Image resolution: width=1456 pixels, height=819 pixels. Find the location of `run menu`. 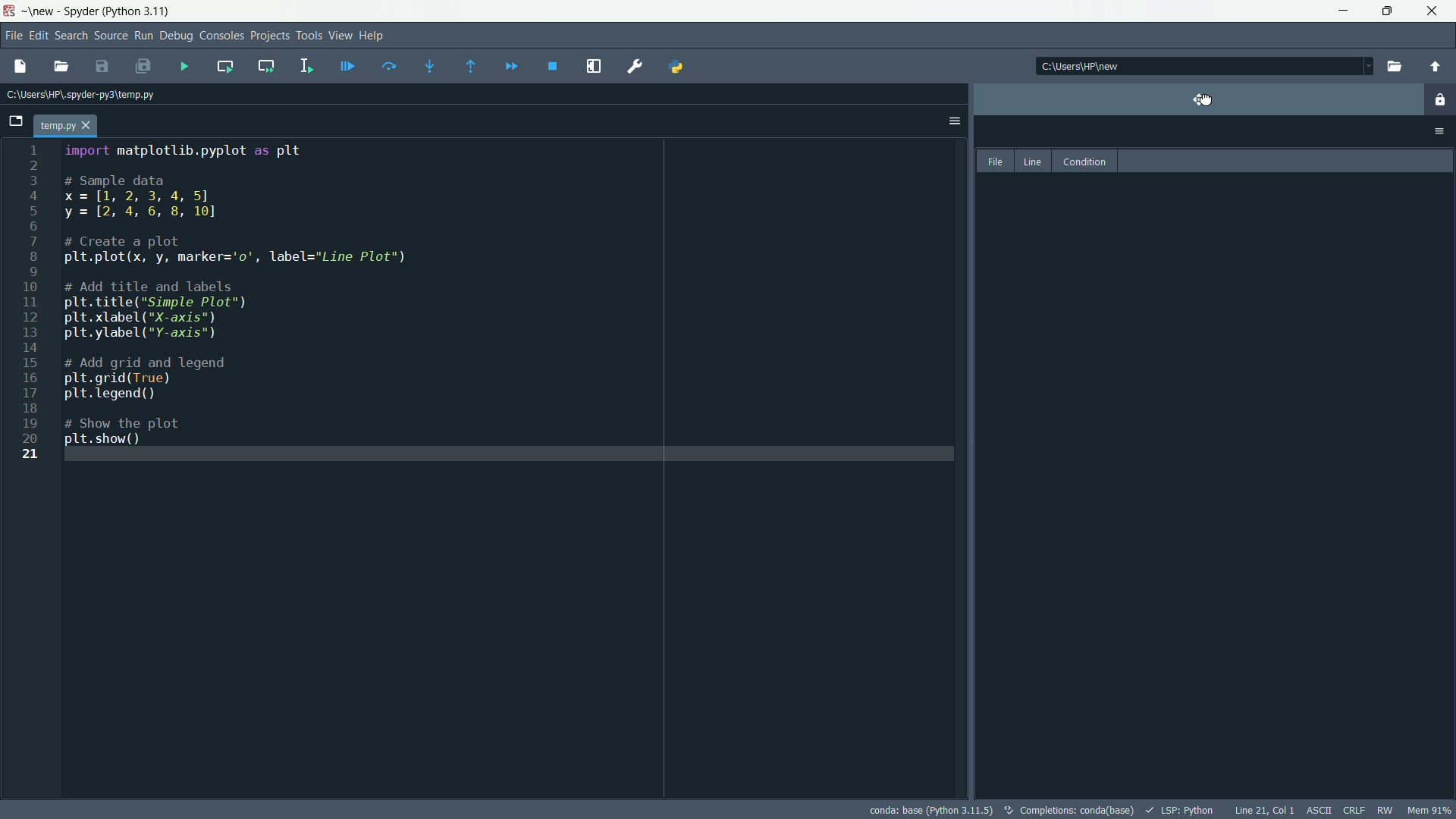

run menu is located at coordinates (142, 36).